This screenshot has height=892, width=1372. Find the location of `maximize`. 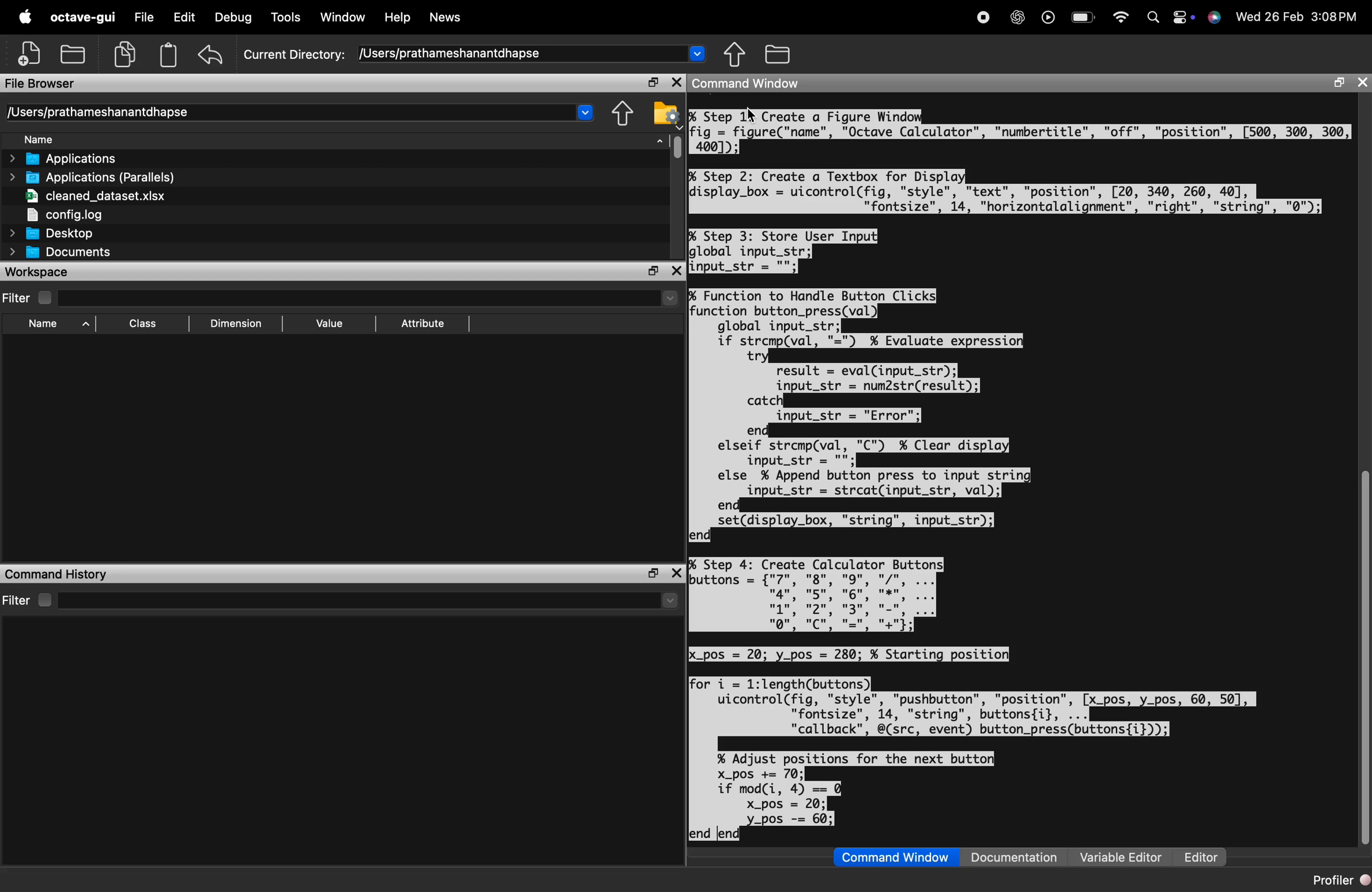

maximize is located at coordinates (1338, 83).